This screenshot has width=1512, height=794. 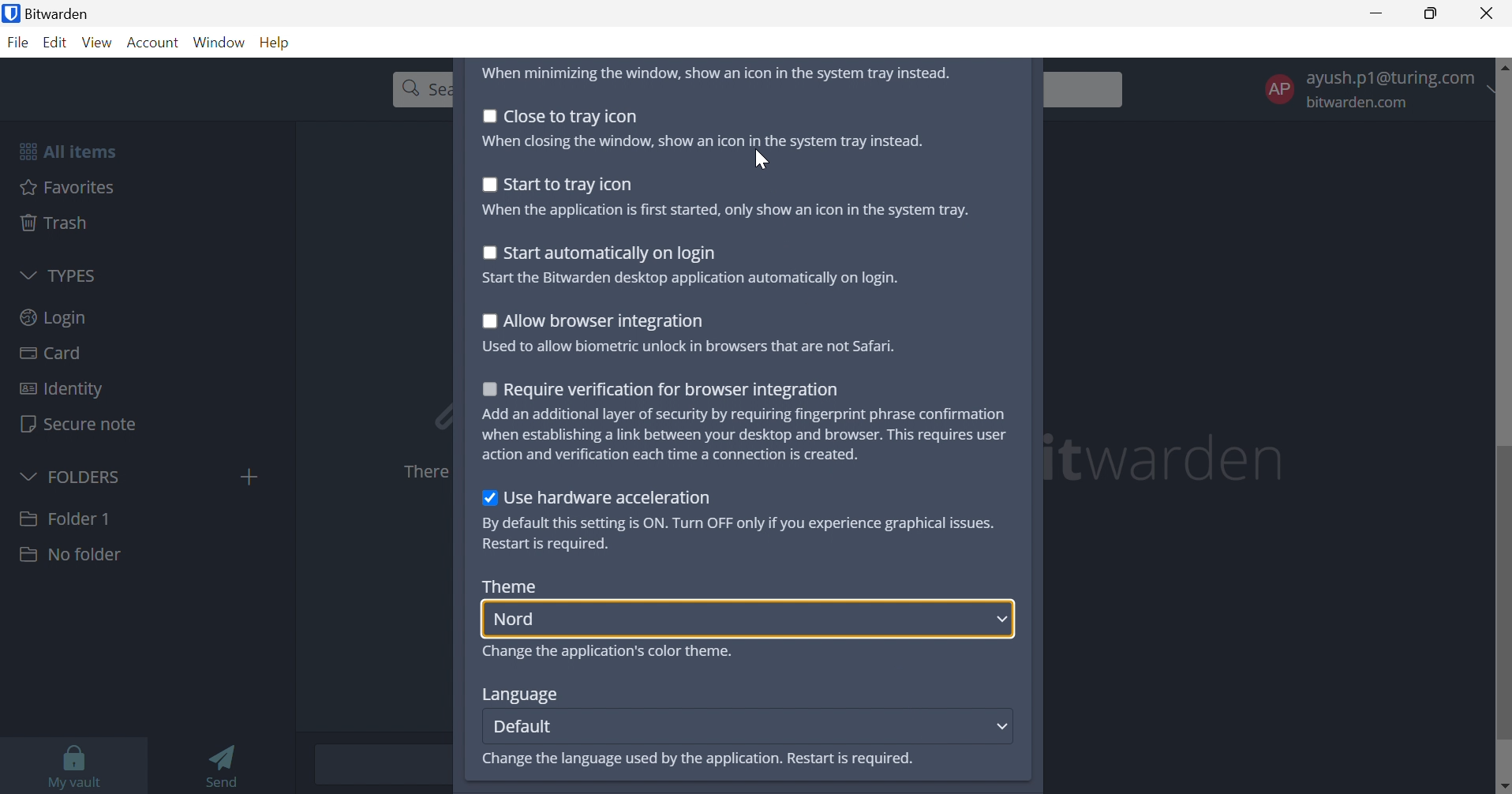 I want to click on FOLDERS, so click(x=88, y=475).